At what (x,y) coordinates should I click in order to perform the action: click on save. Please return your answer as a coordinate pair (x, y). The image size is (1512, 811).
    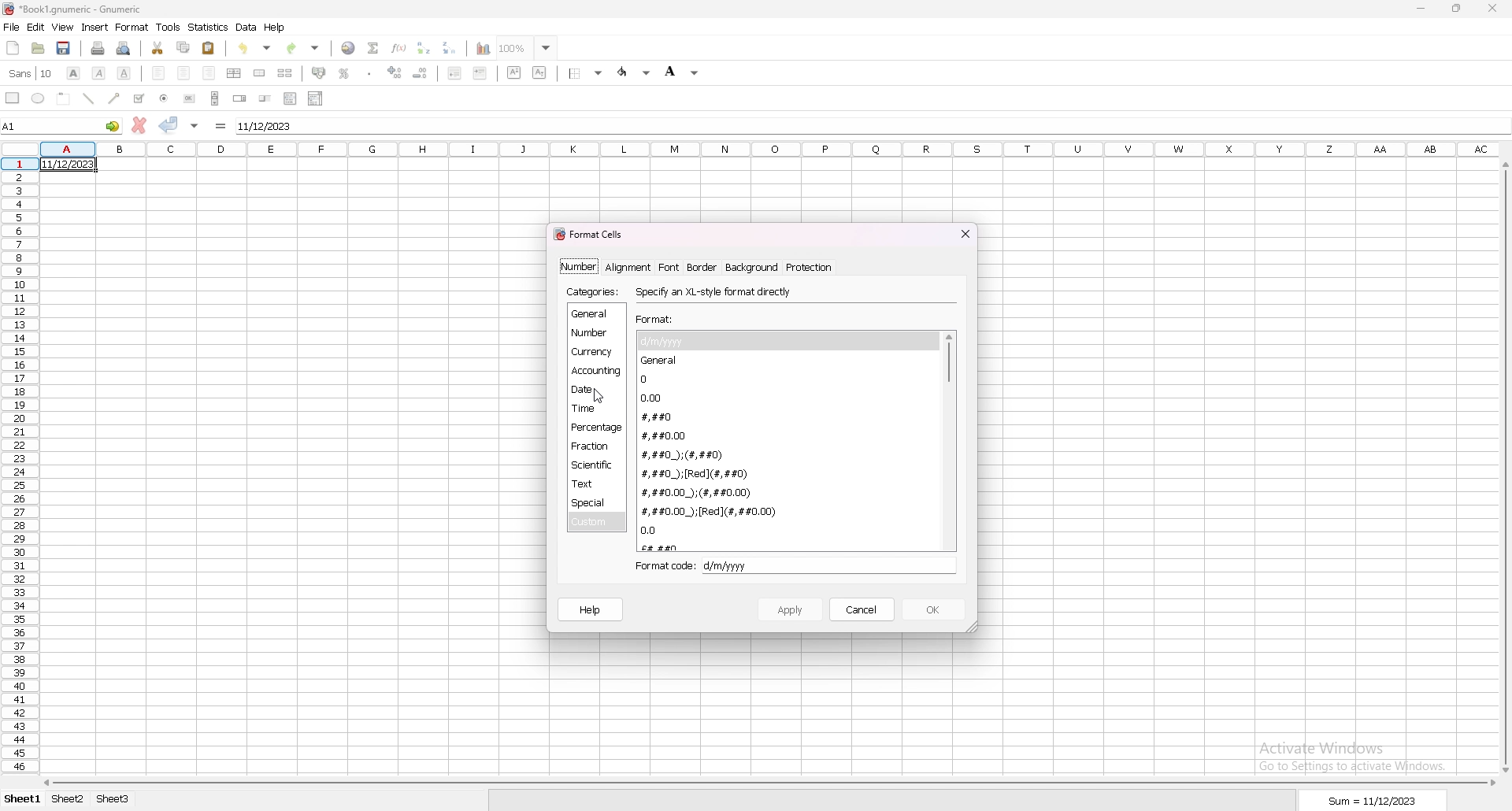
    Looking at the image, I should click on (63, 48).